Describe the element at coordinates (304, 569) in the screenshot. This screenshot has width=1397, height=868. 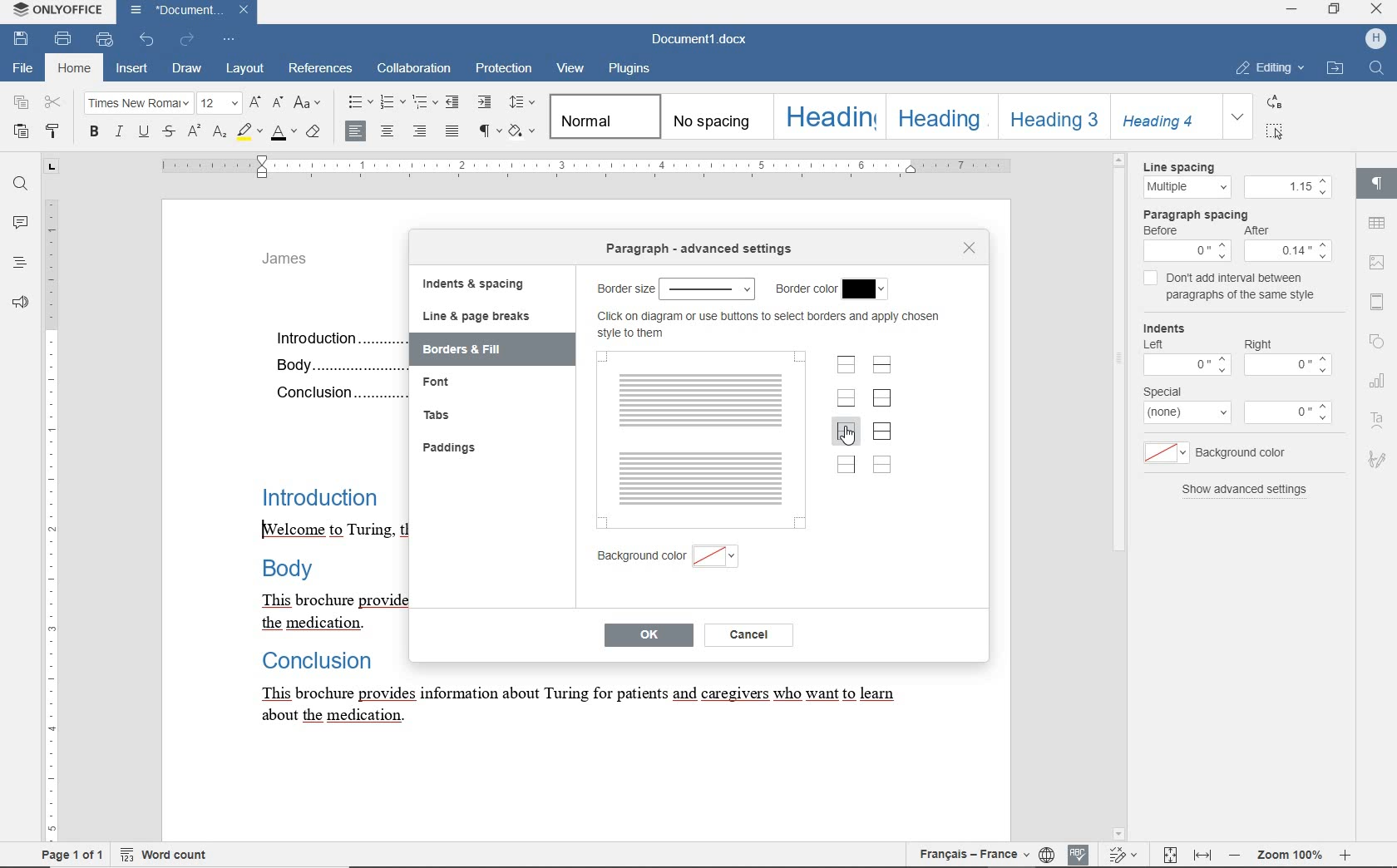
I see `Body` at that location.